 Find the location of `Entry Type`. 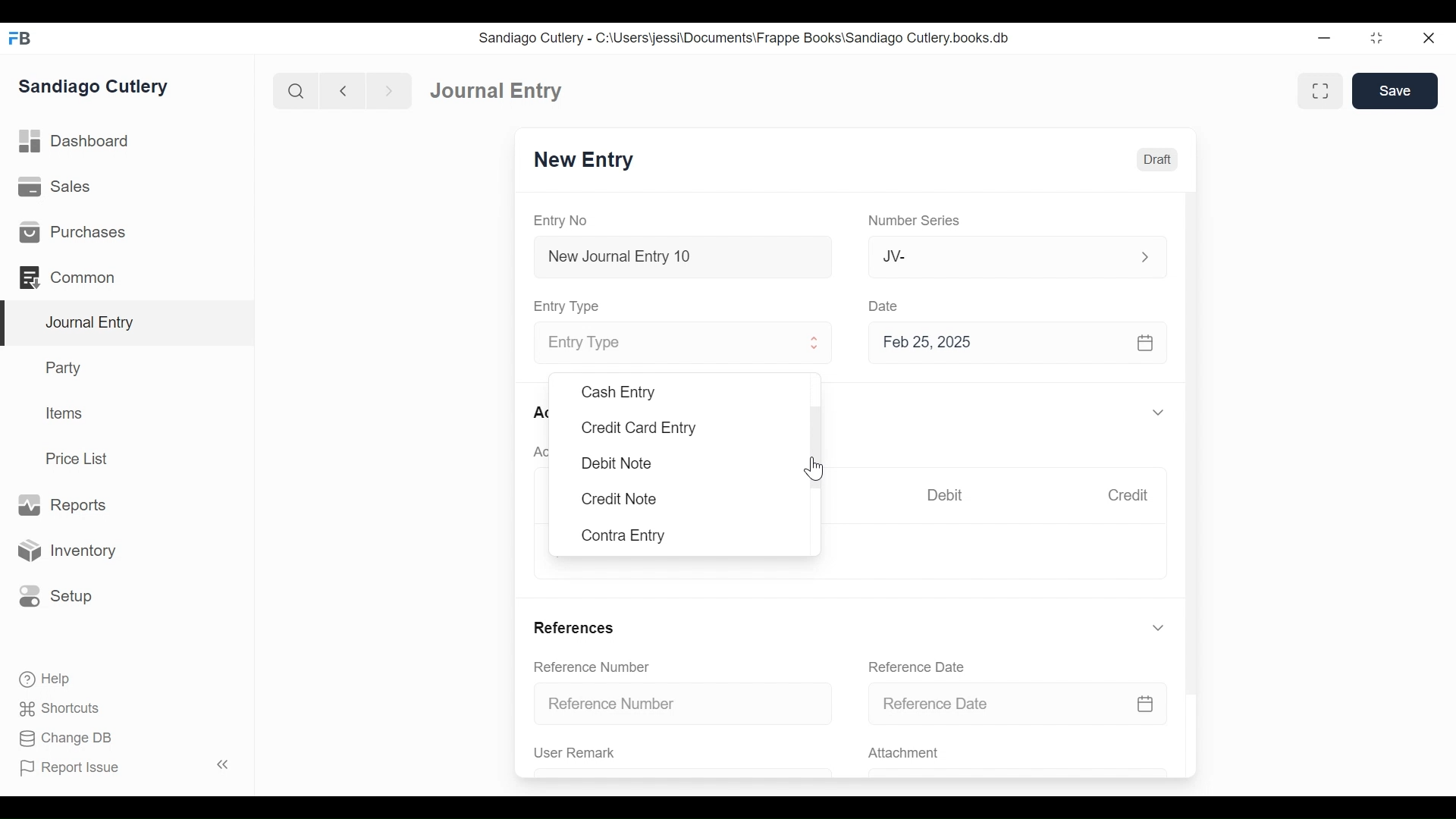

Entry Type is located at coordinates (571, 306).